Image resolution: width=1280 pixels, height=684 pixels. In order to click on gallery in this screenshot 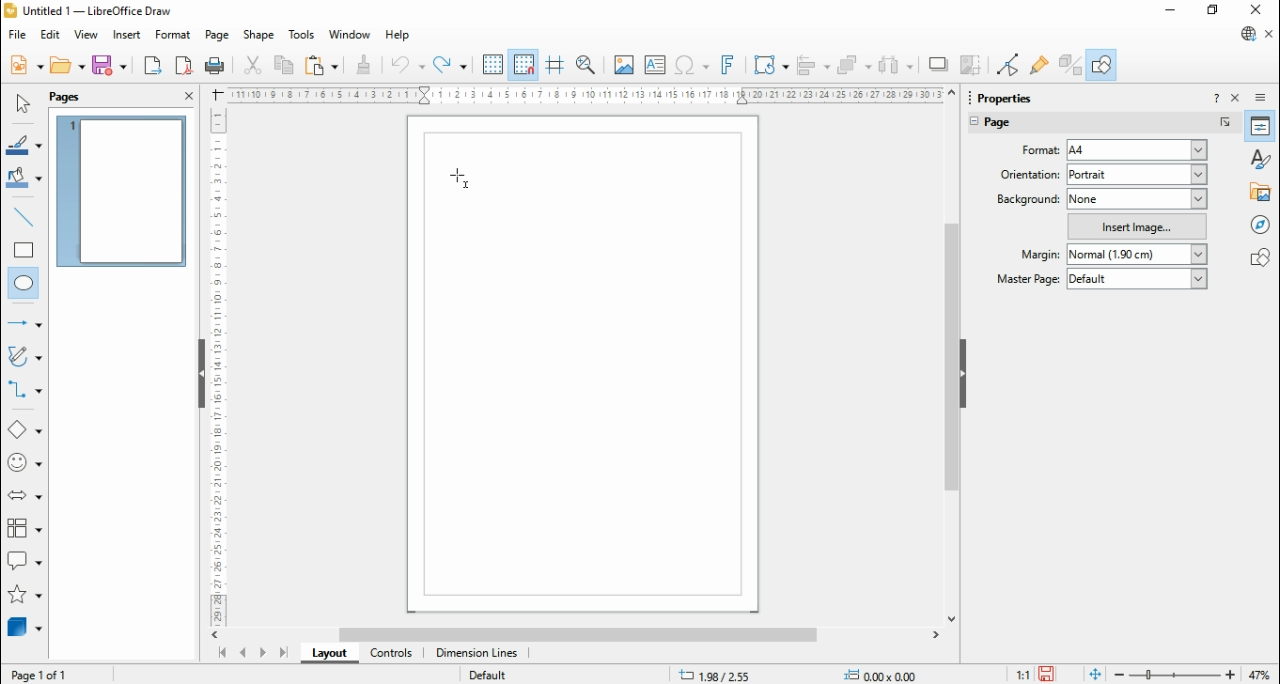, I will do `click(1262, 191)`.